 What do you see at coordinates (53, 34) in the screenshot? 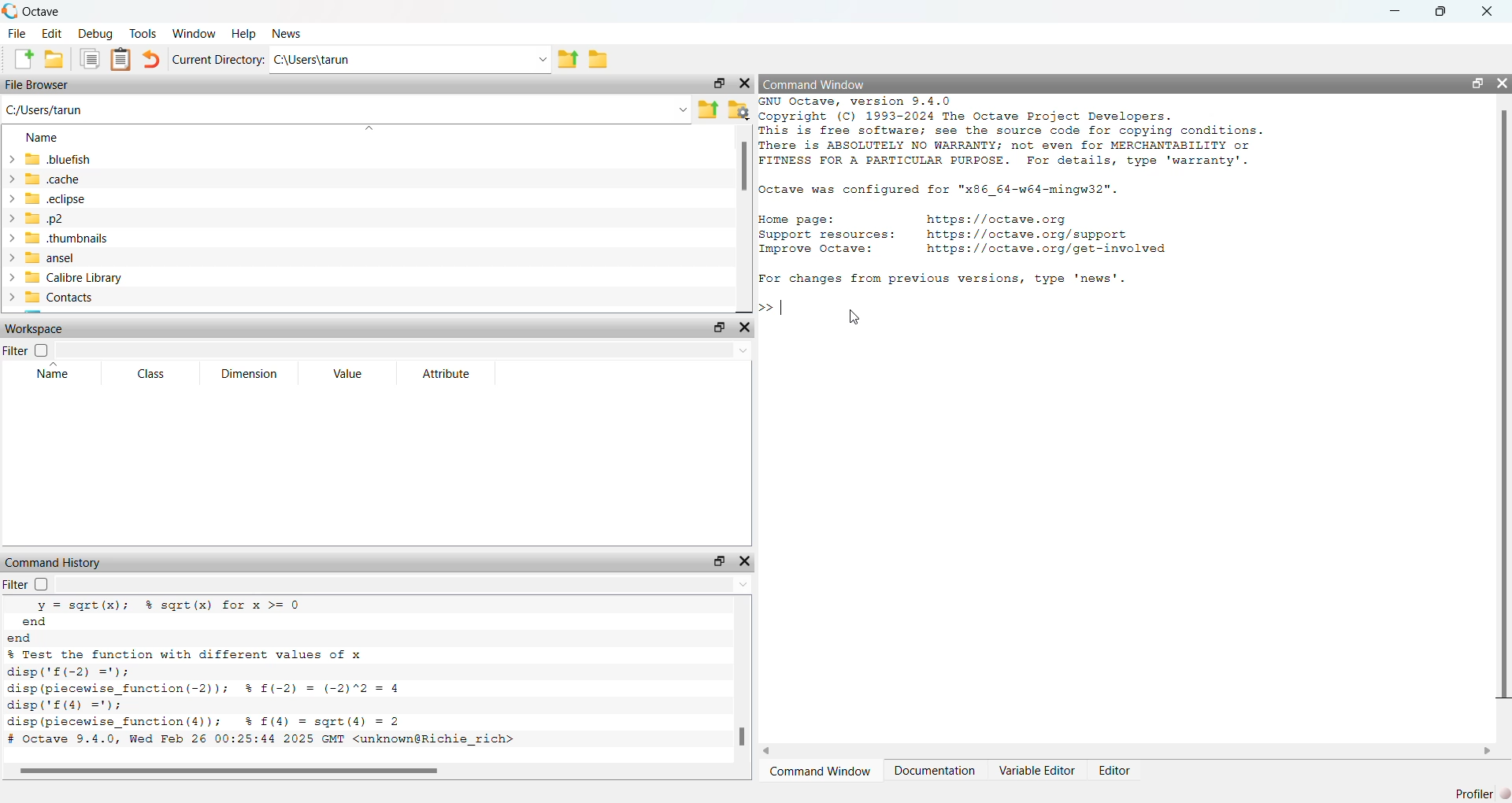
I see `Edit` at bounding box center [53, 34].